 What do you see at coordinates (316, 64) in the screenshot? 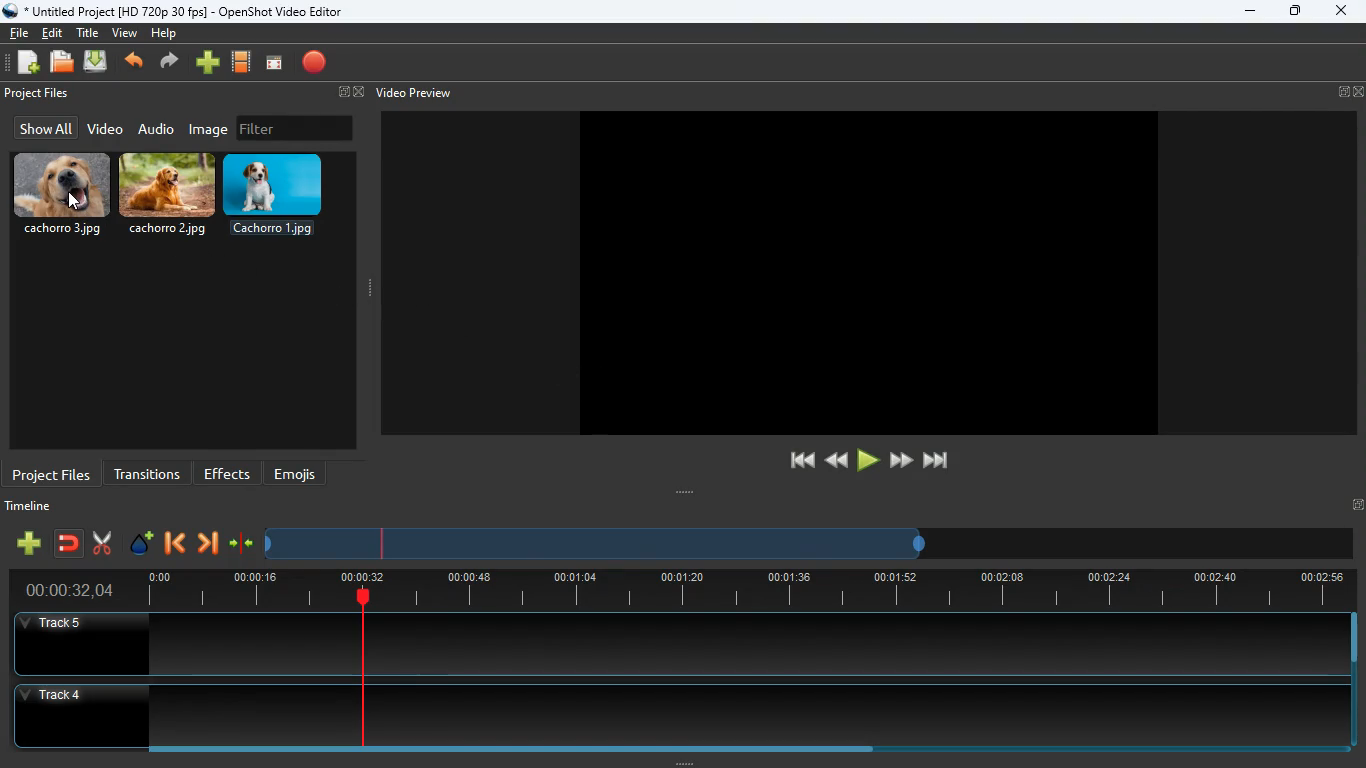
I see `record` at bounding box center [316, 64].